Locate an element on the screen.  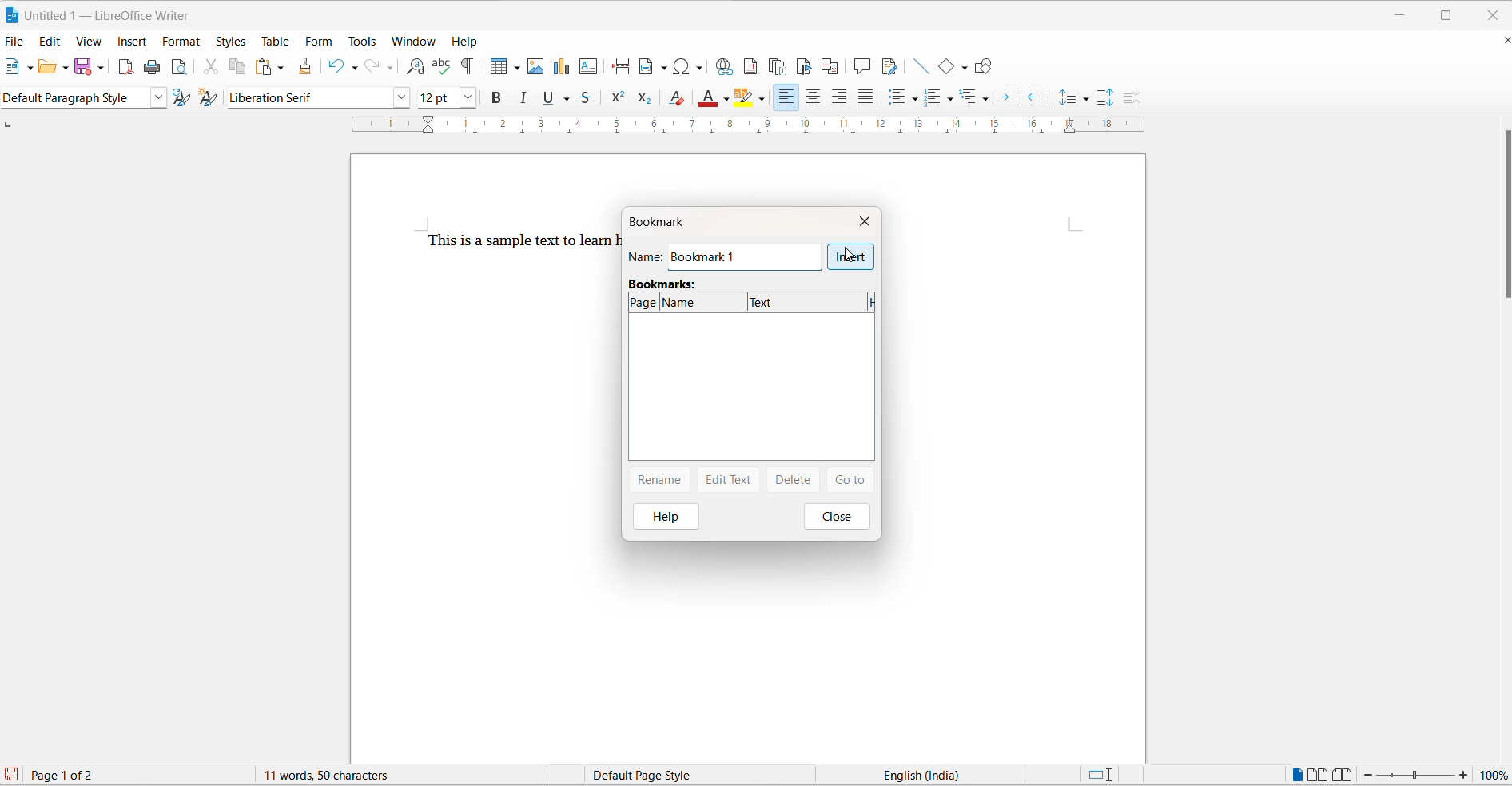
toggle print preview is located at coordinates (181, 67).